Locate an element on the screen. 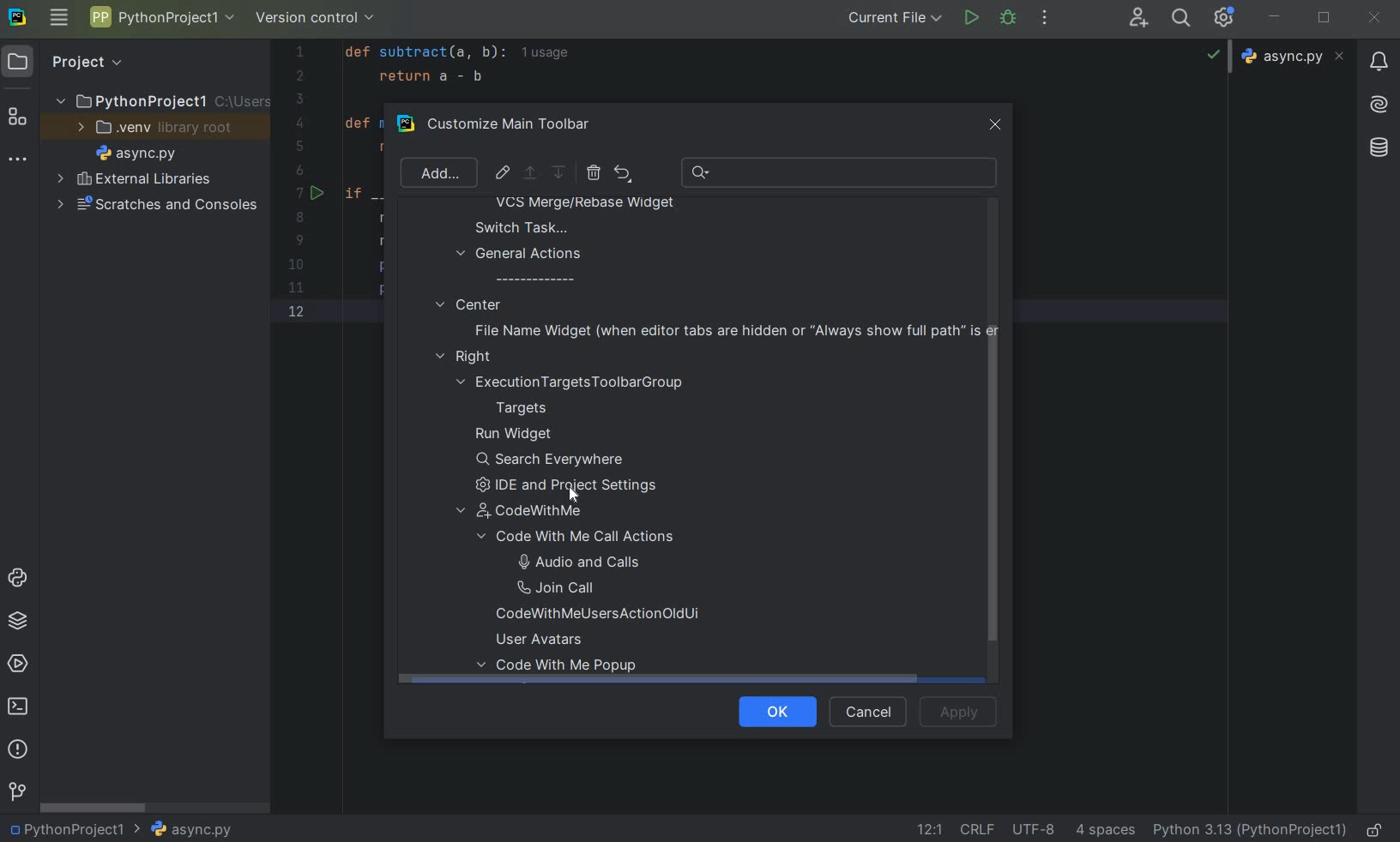 The height and width of the screenshot is (842, 1400). LINE SEPARATOR is located at coordinates (979, 828).